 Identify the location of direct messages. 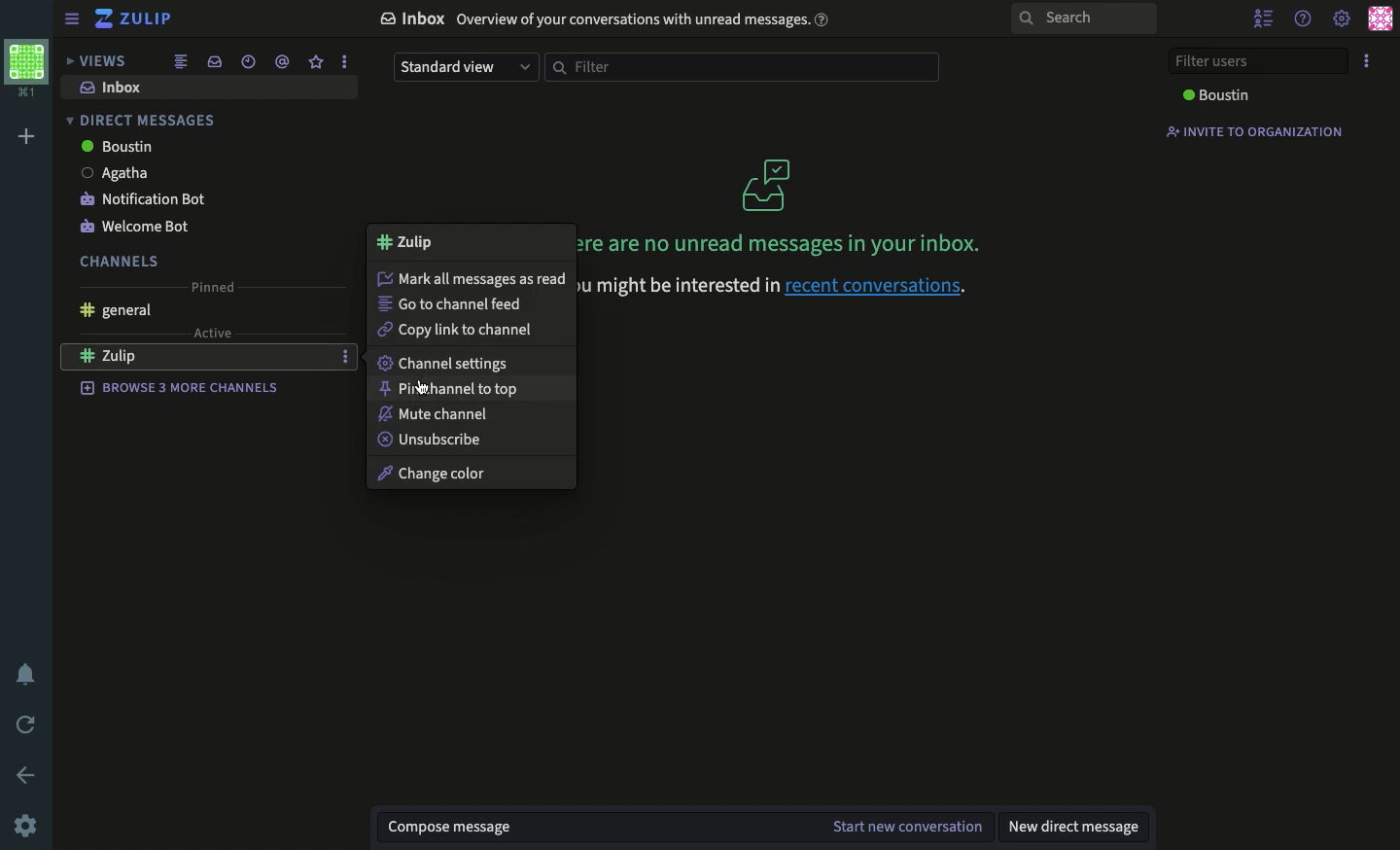
(138, 121).